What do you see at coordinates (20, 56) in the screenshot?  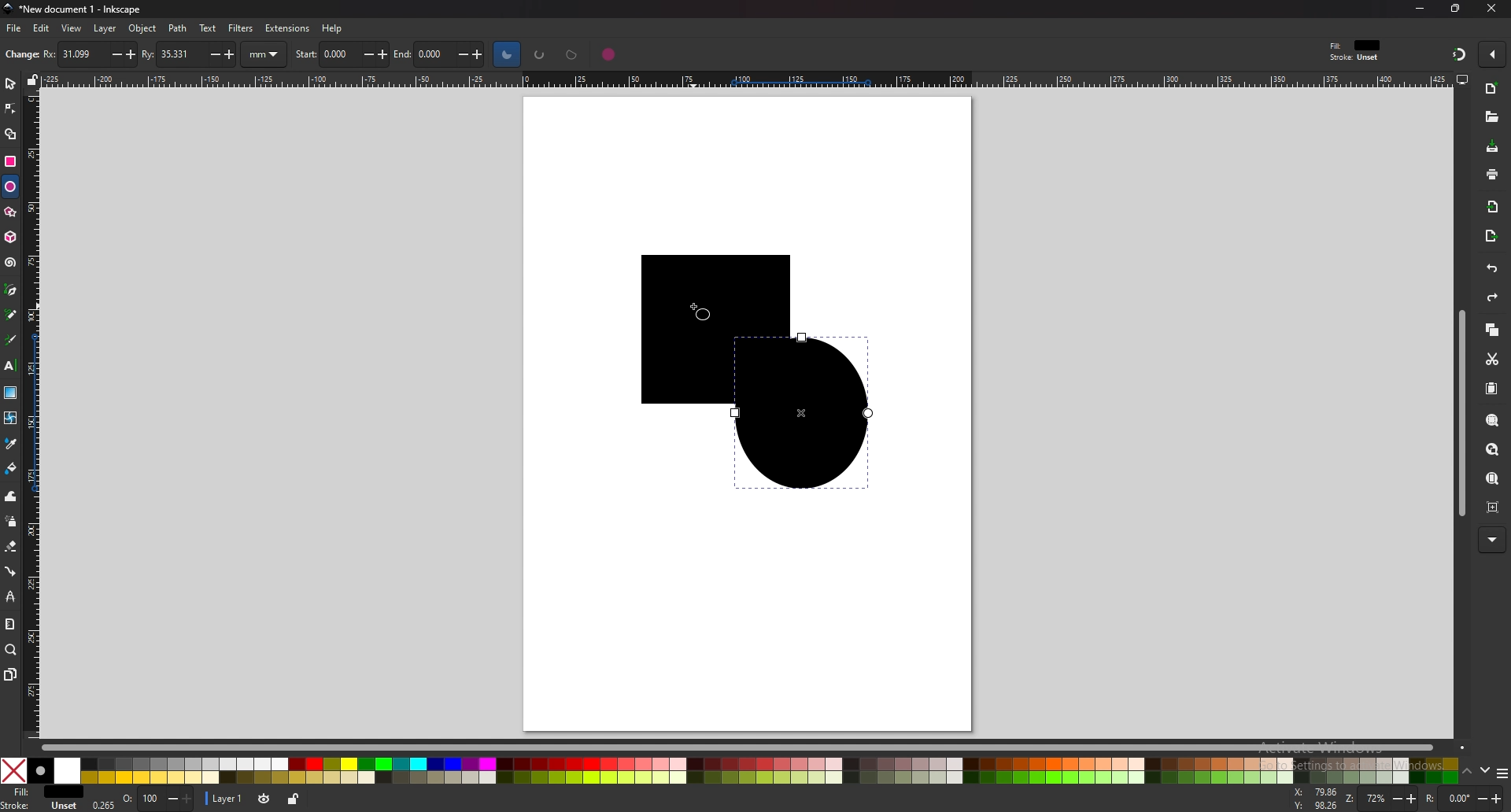 I see `new` at bounding box center [20, 56].